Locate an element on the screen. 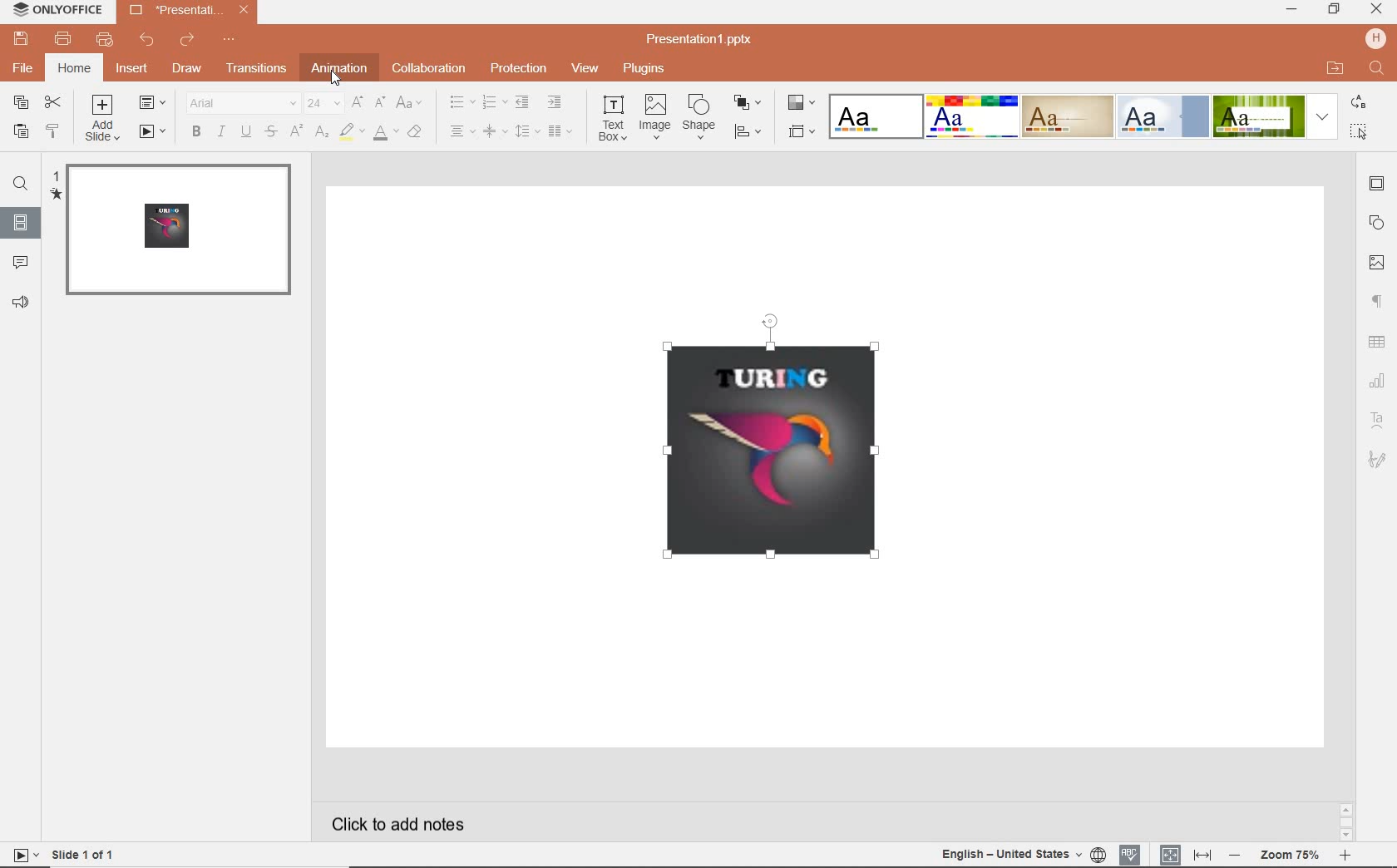 The height and width of the screenshot is (868, 1397). numbering is located at coordinates (492, 102).